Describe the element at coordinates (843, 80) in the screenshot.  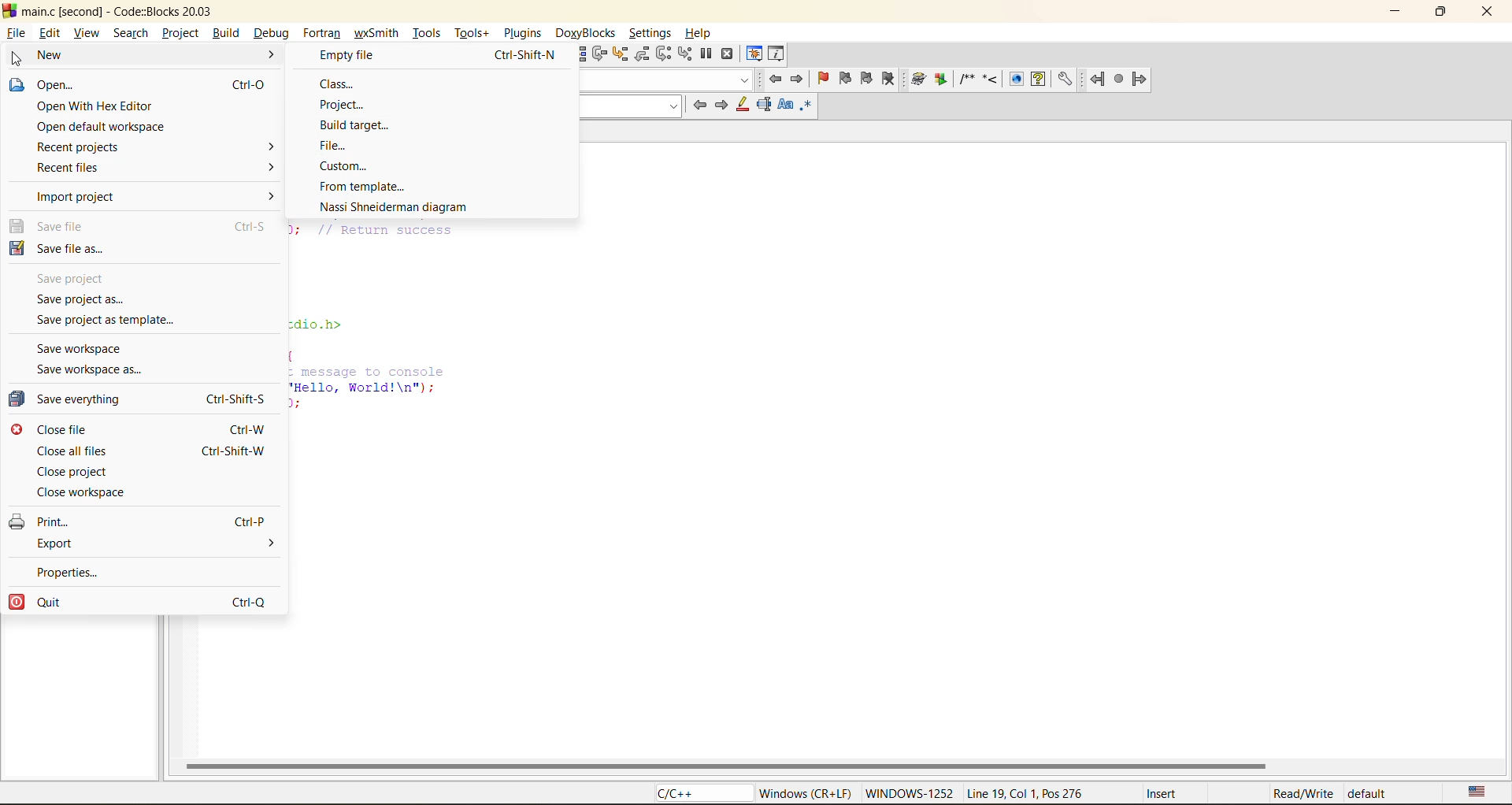
I see `previous bookmark` at that location.